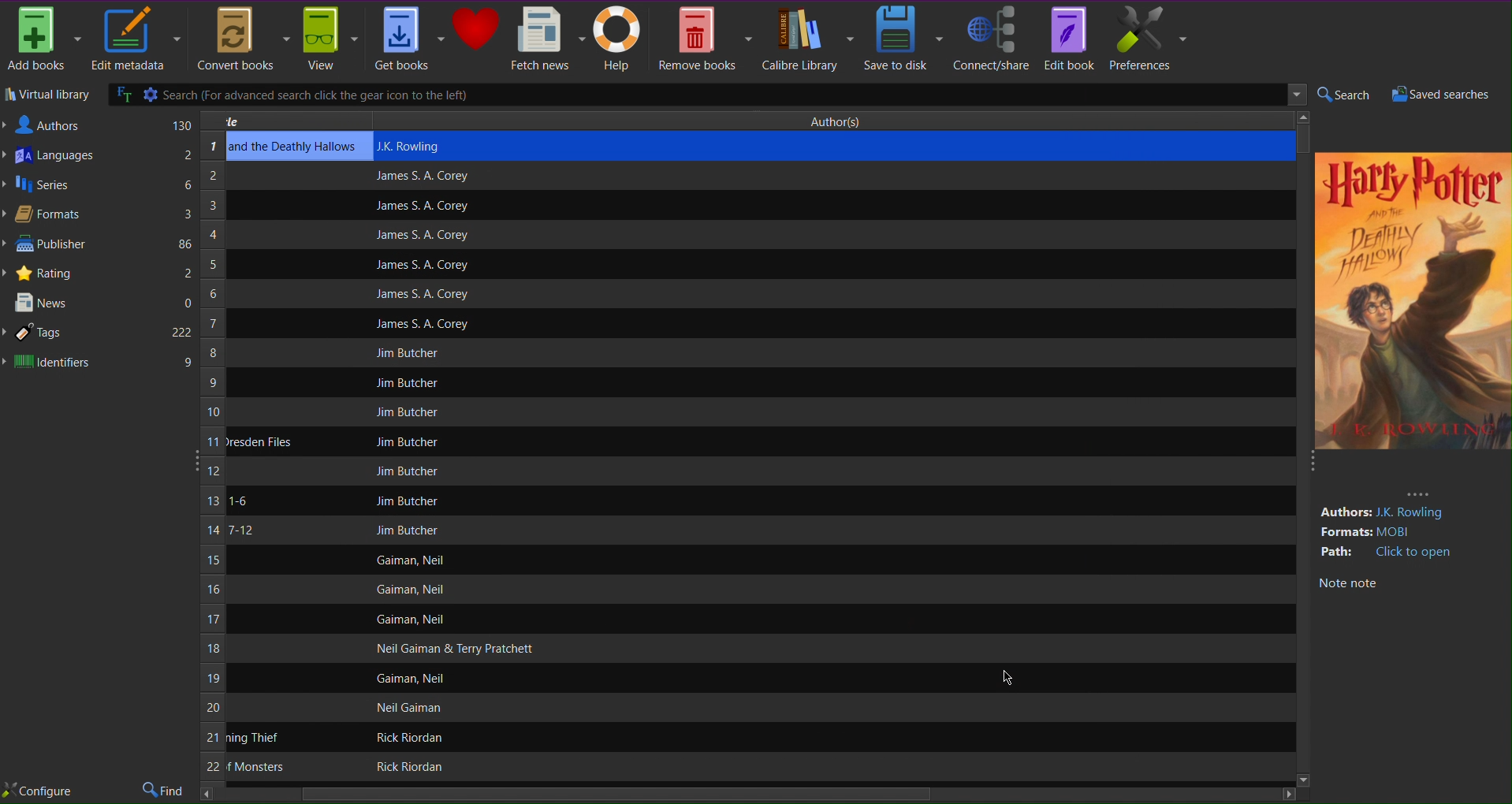 The image size is (1512, 804). I want to click on Help, so click(621, 39).